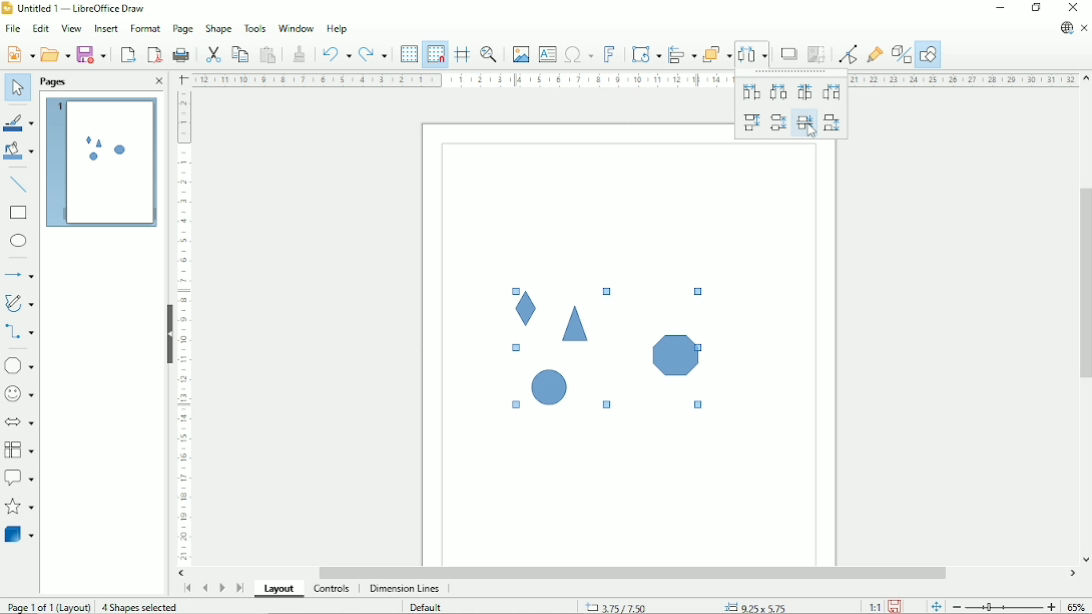 This screenshot has height=614, width=1092. What do you see at coordinates (279, 588) in the screenshot?
I see `Layout` at bounding box center [279, 588].